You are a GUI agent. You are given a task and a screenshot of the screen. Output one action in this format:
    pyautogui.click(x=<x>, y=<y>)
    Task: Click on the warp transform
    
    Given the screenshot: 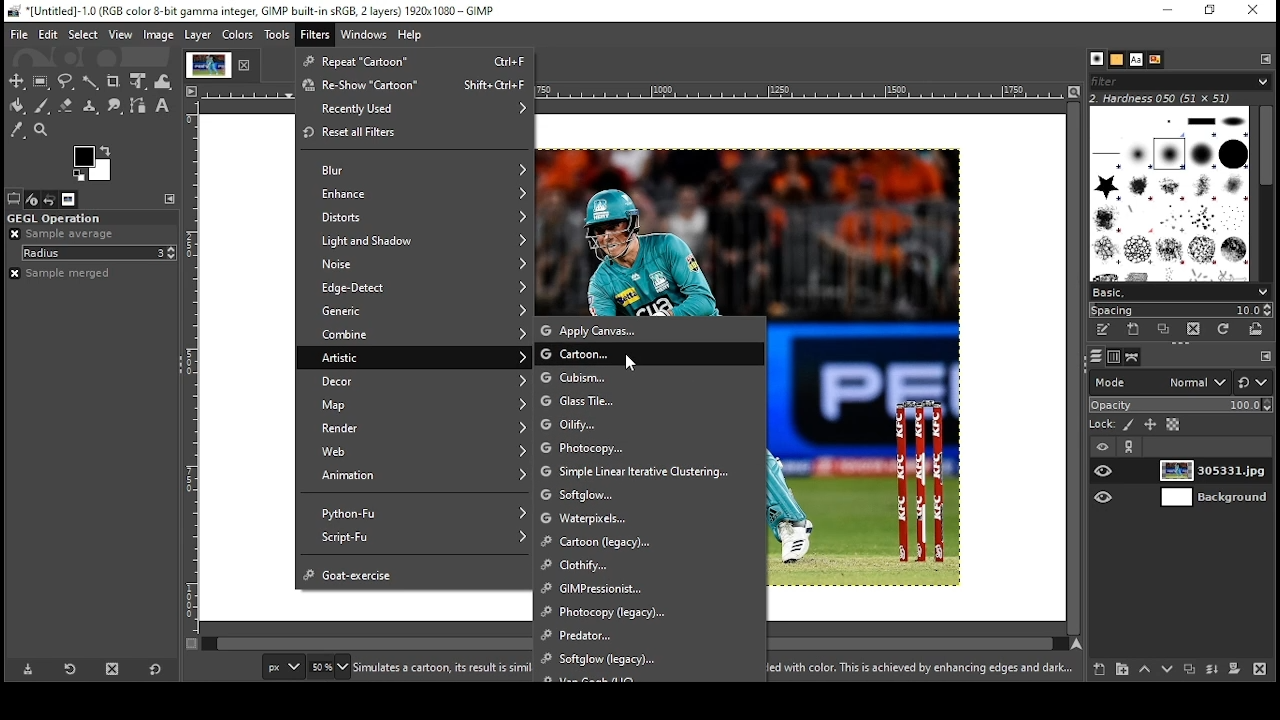 What is the action you would take?
    pyautogui.click(x=163, y=79)
    